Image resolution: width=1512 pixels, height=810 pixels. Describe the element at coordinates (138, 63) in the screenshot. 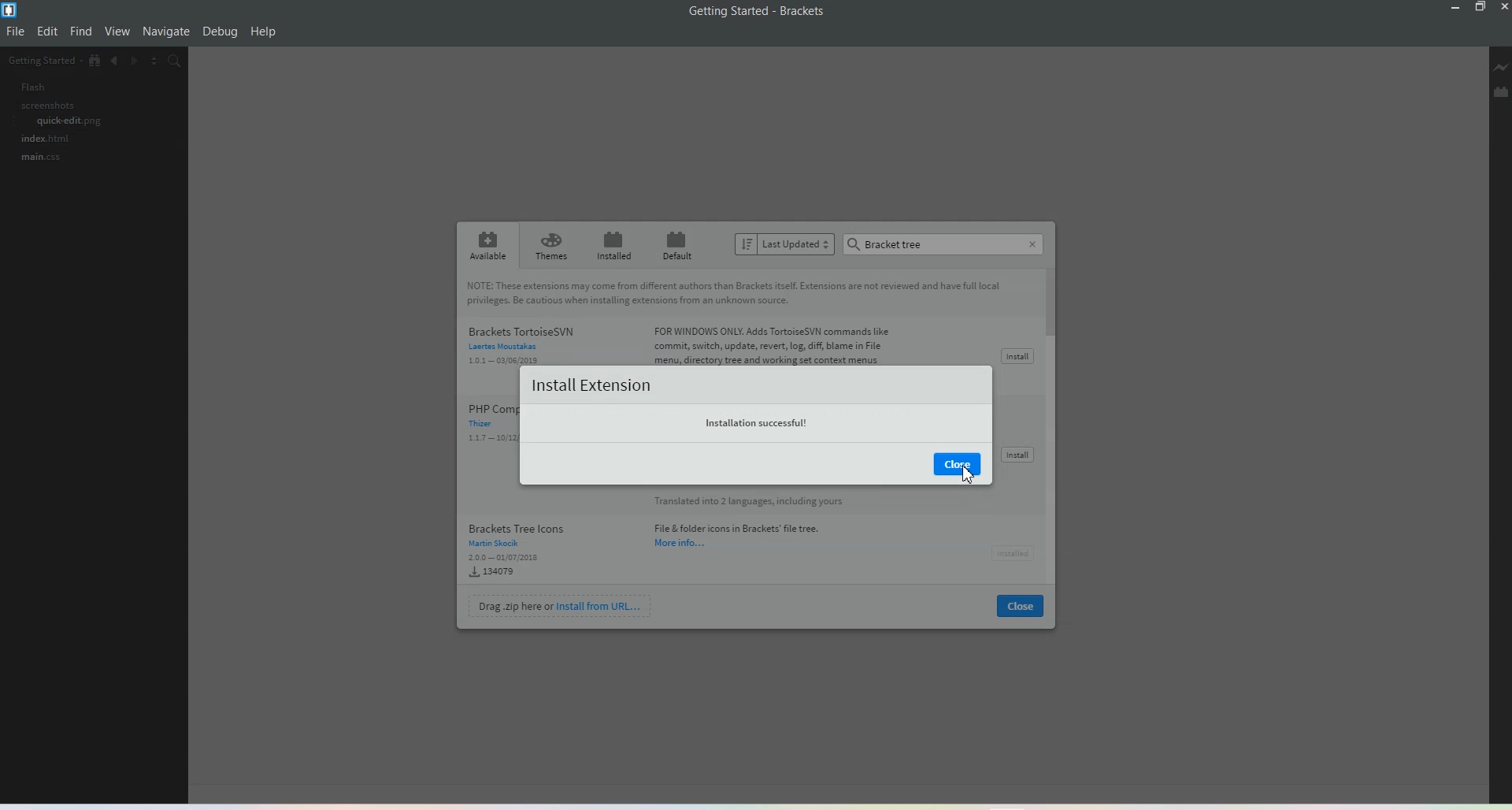

I see `Navigate Forwards` at that location.